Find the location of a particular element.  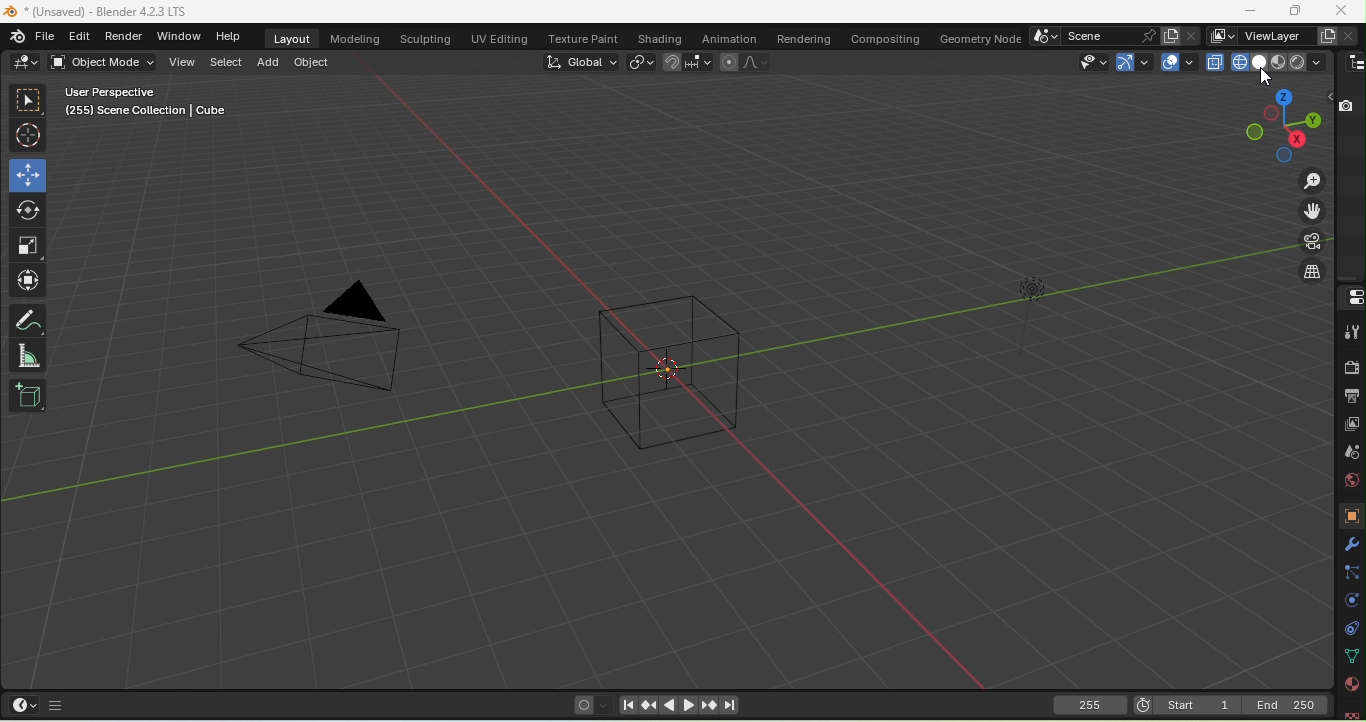

Play animation is located at coordinates (686, 705).